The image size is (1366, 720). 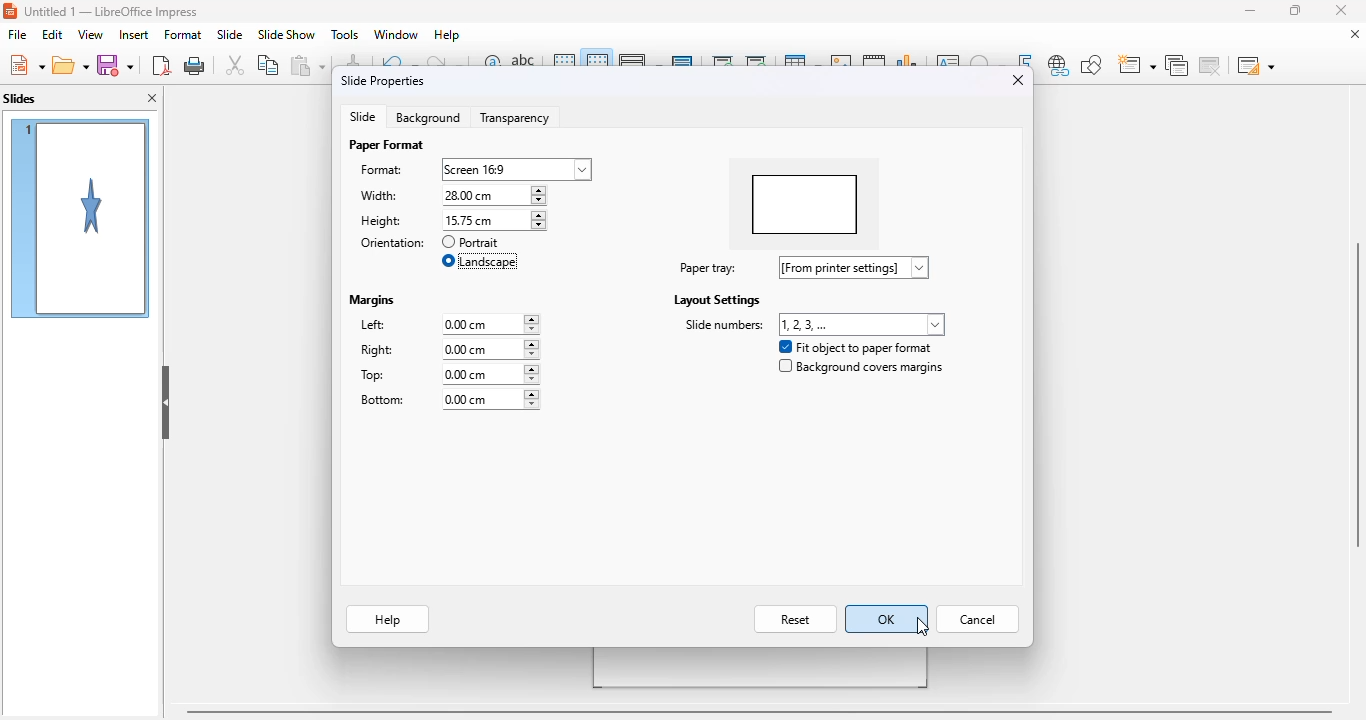 What do you see at coordinates (81, 220) in the screenshot?
I see `slide 1` at bounding box center [81, 220].